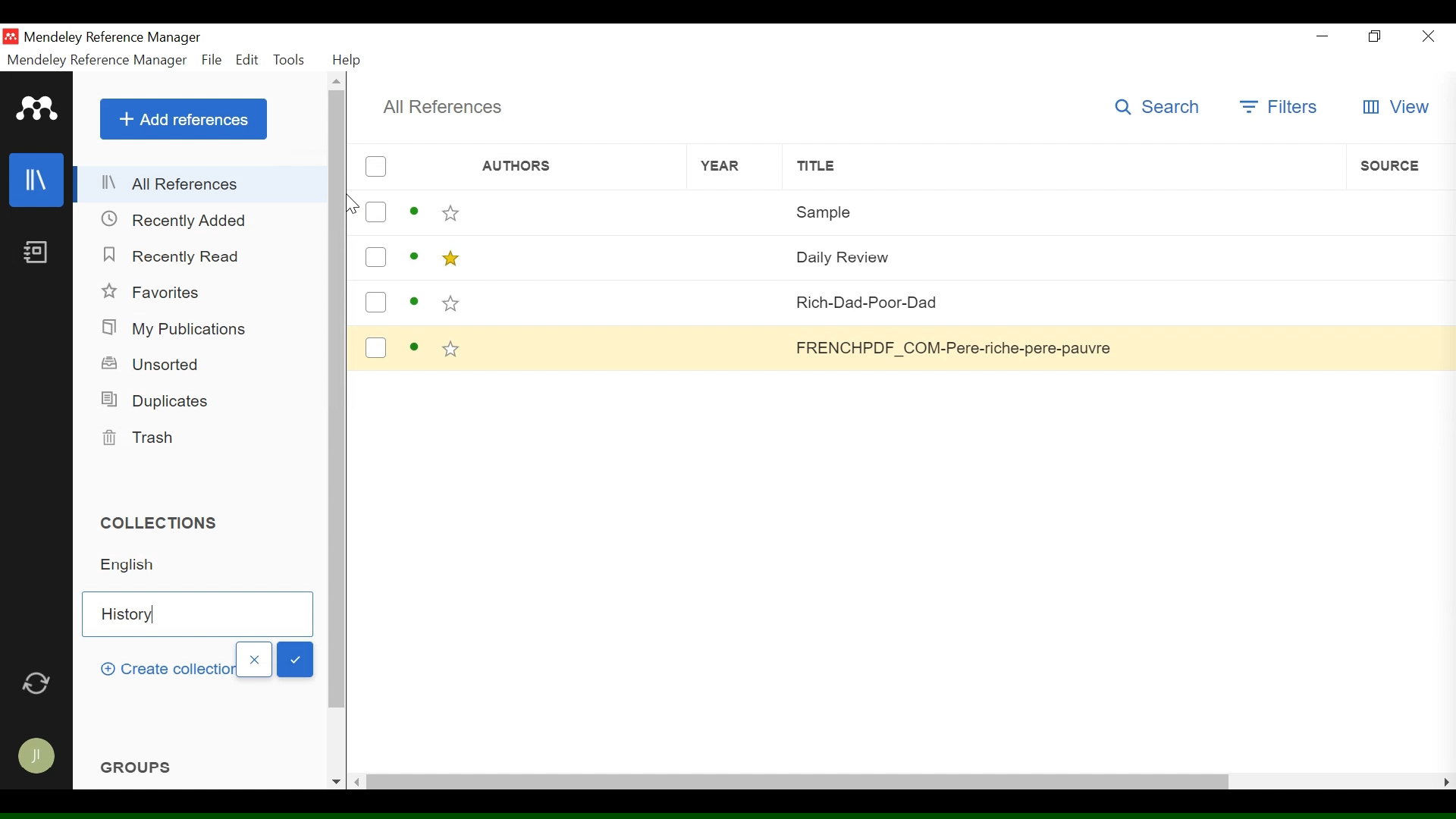 This screenshot has width=1456, height=819. What do you see at coordinates (375, 259) in the screenshot?
I see `(un)select` at bounding box center [375, 259].